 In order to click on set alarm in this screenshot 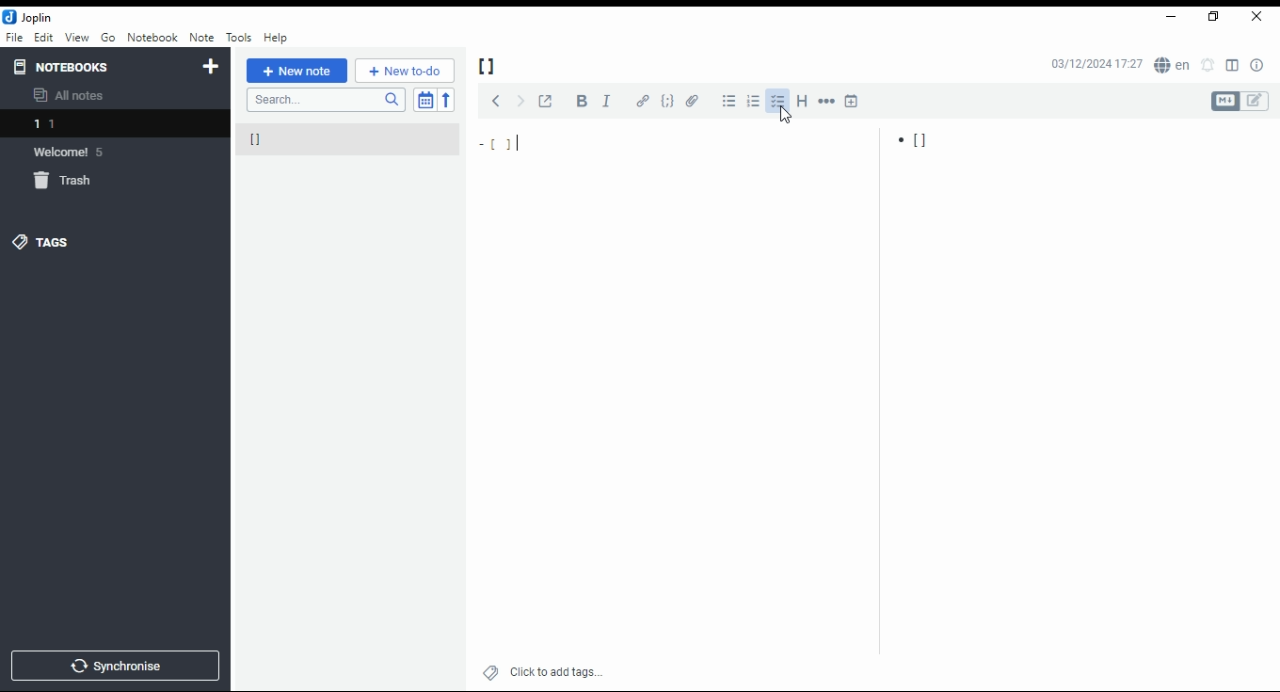, I will do `click(1211, 65)`.